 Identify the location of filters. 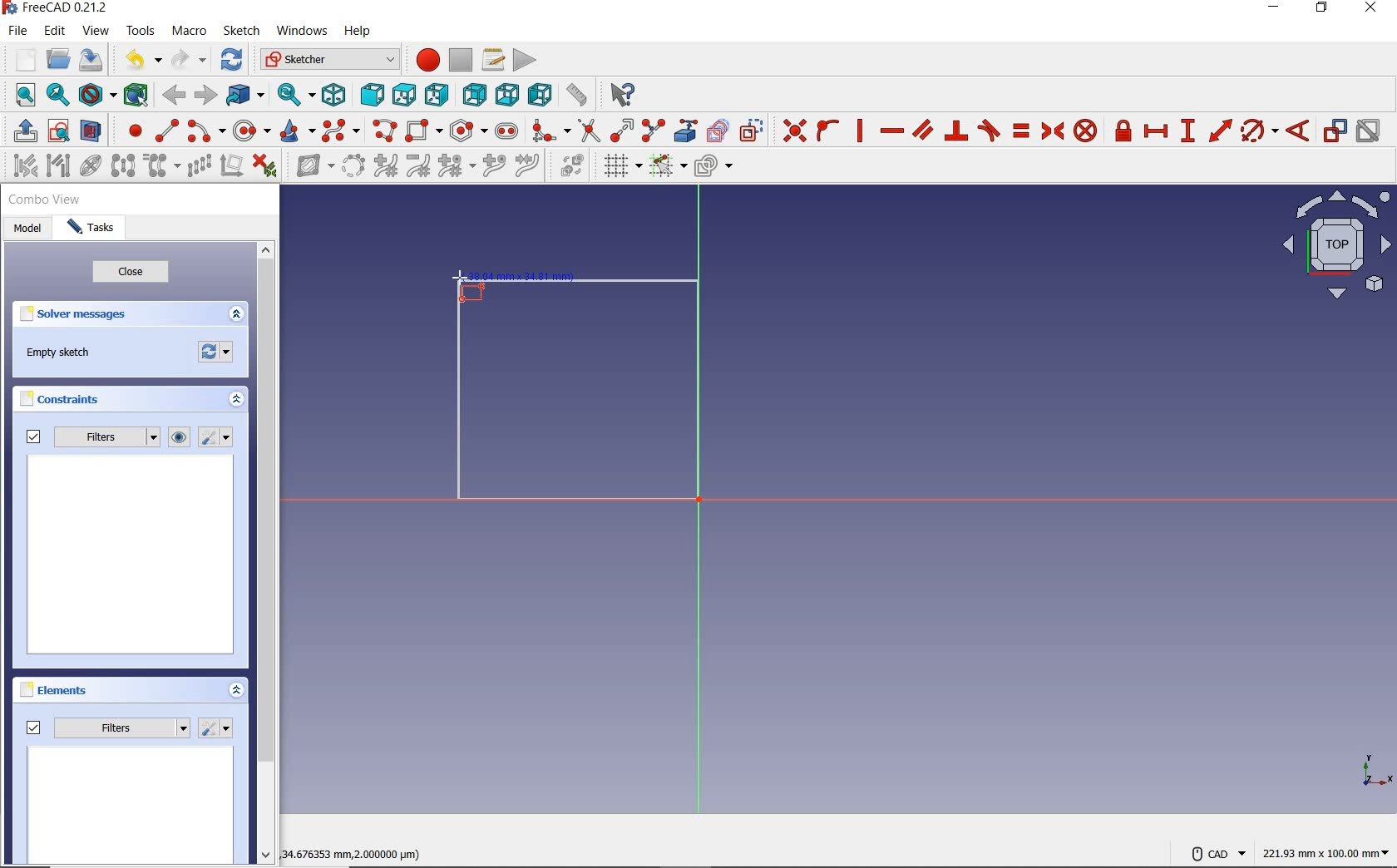
(89, 437).